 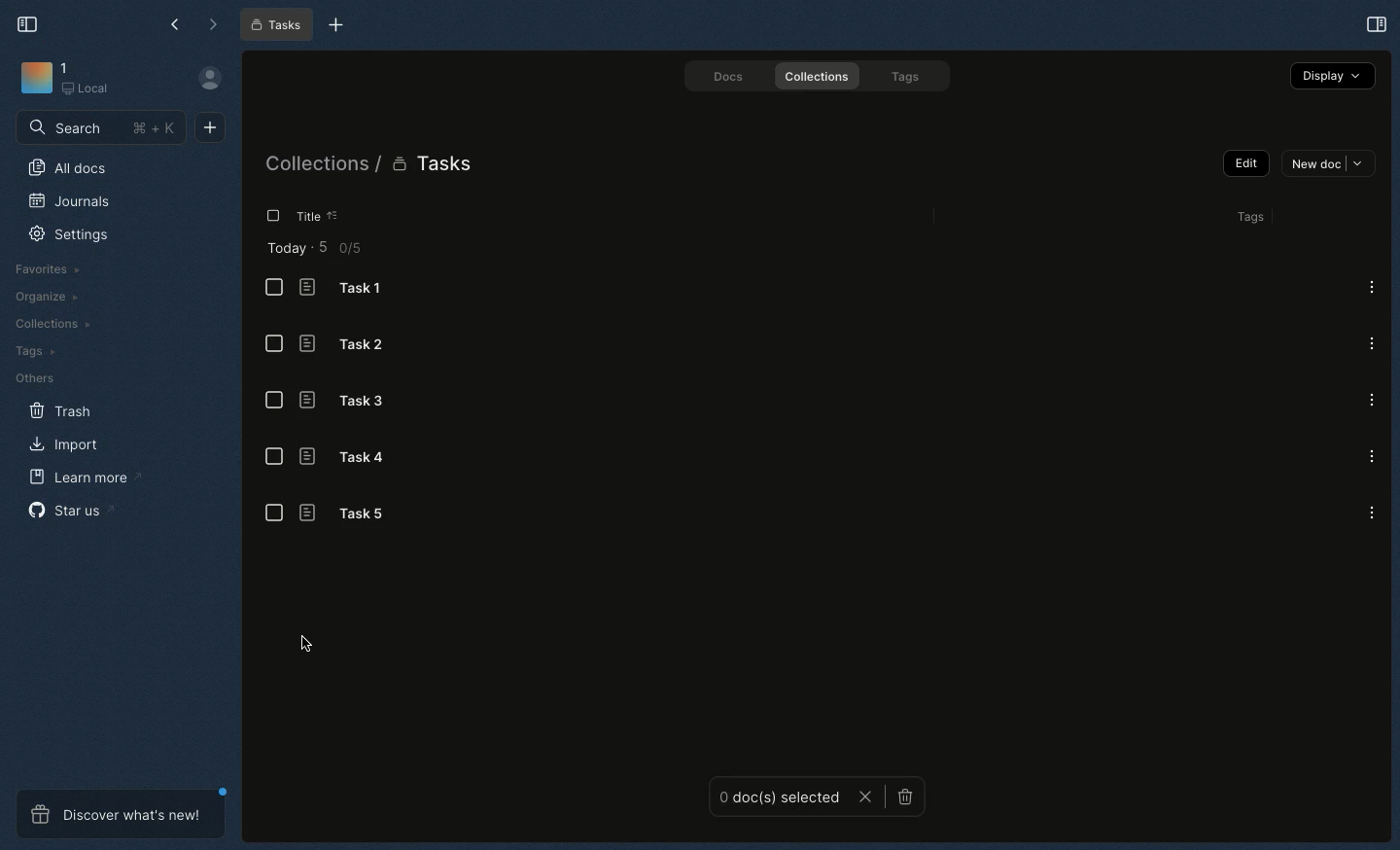 I want to click on Trash, so click(x=61, y=409).